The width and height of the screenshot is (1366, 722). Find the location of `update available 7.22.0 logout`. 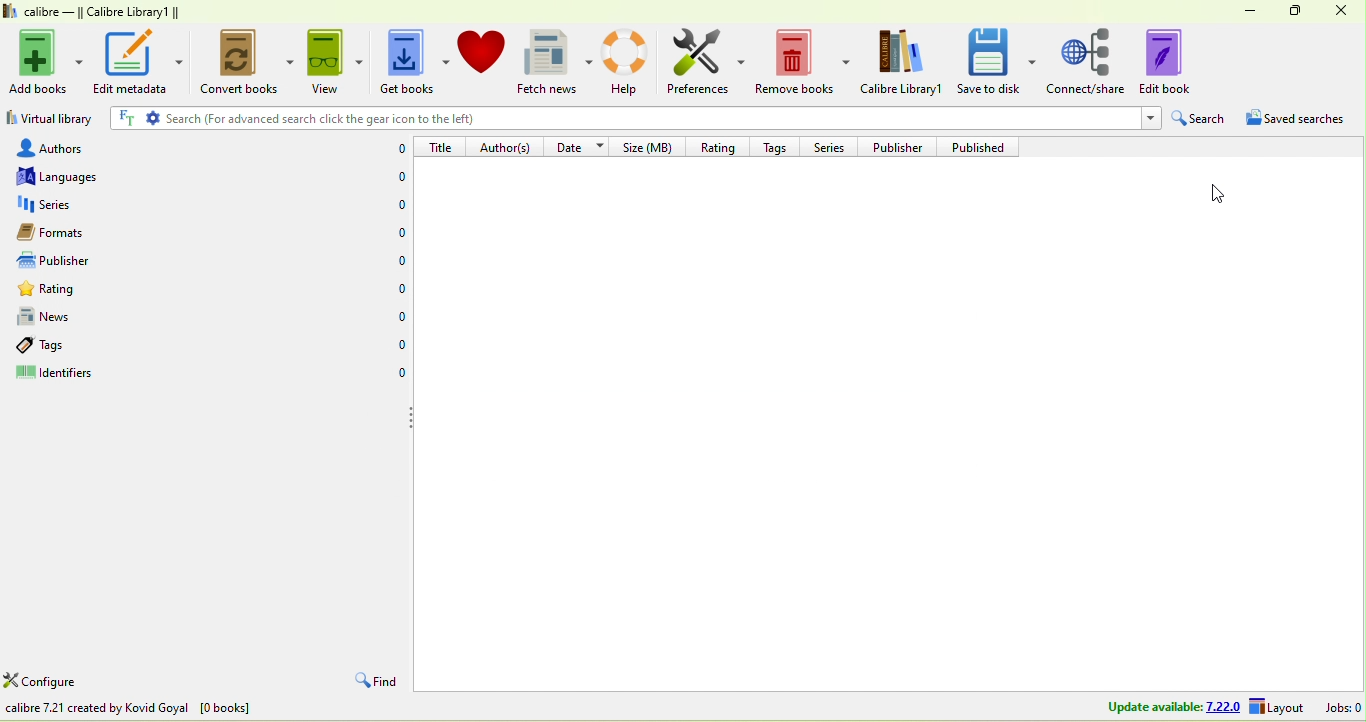

update available 7.22.0 logout is located at coordinates (1199, 708).